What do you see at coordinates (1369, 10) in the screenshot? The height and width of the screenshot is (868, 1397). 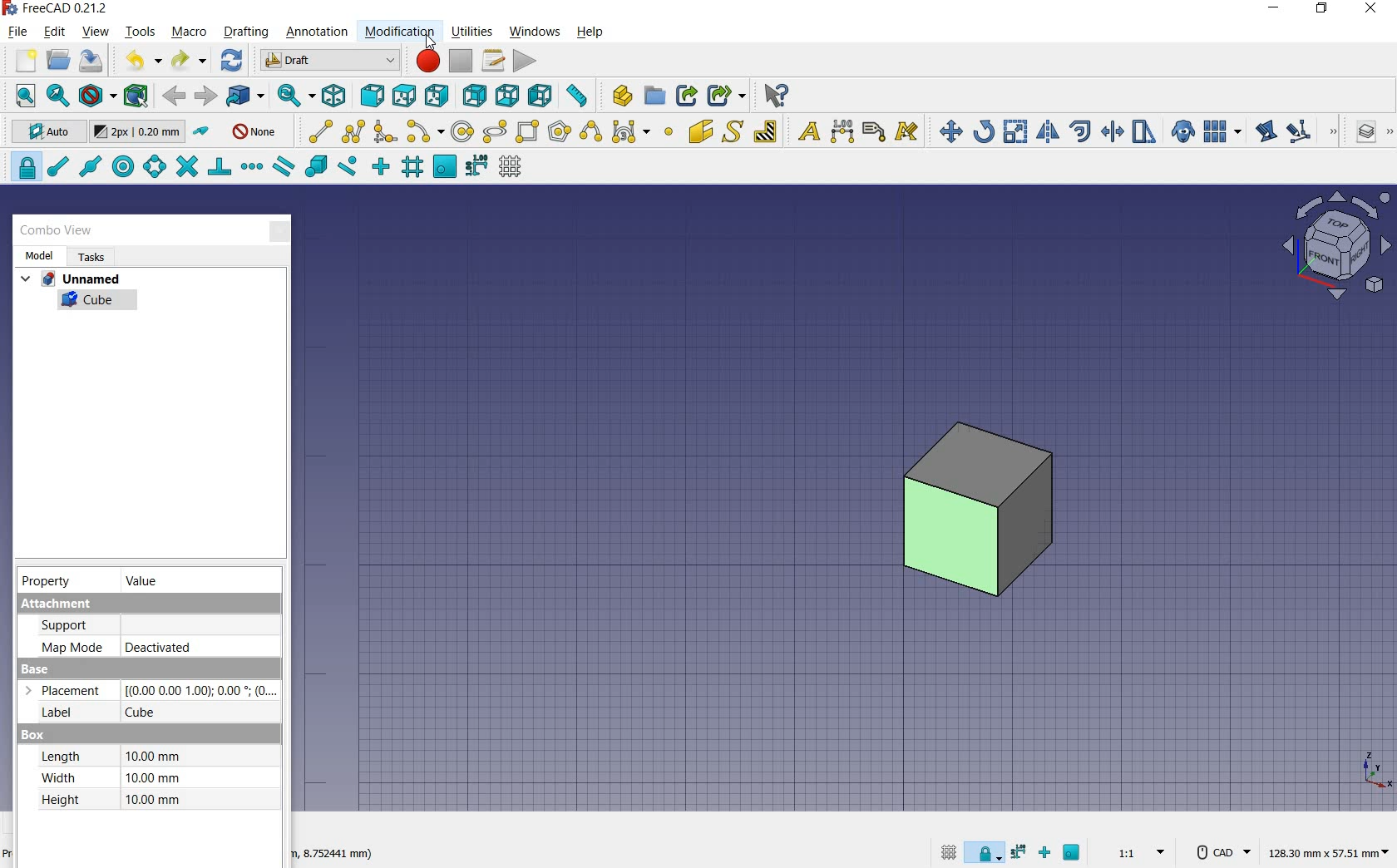 I see `close` at bounding box center [1369, 10].